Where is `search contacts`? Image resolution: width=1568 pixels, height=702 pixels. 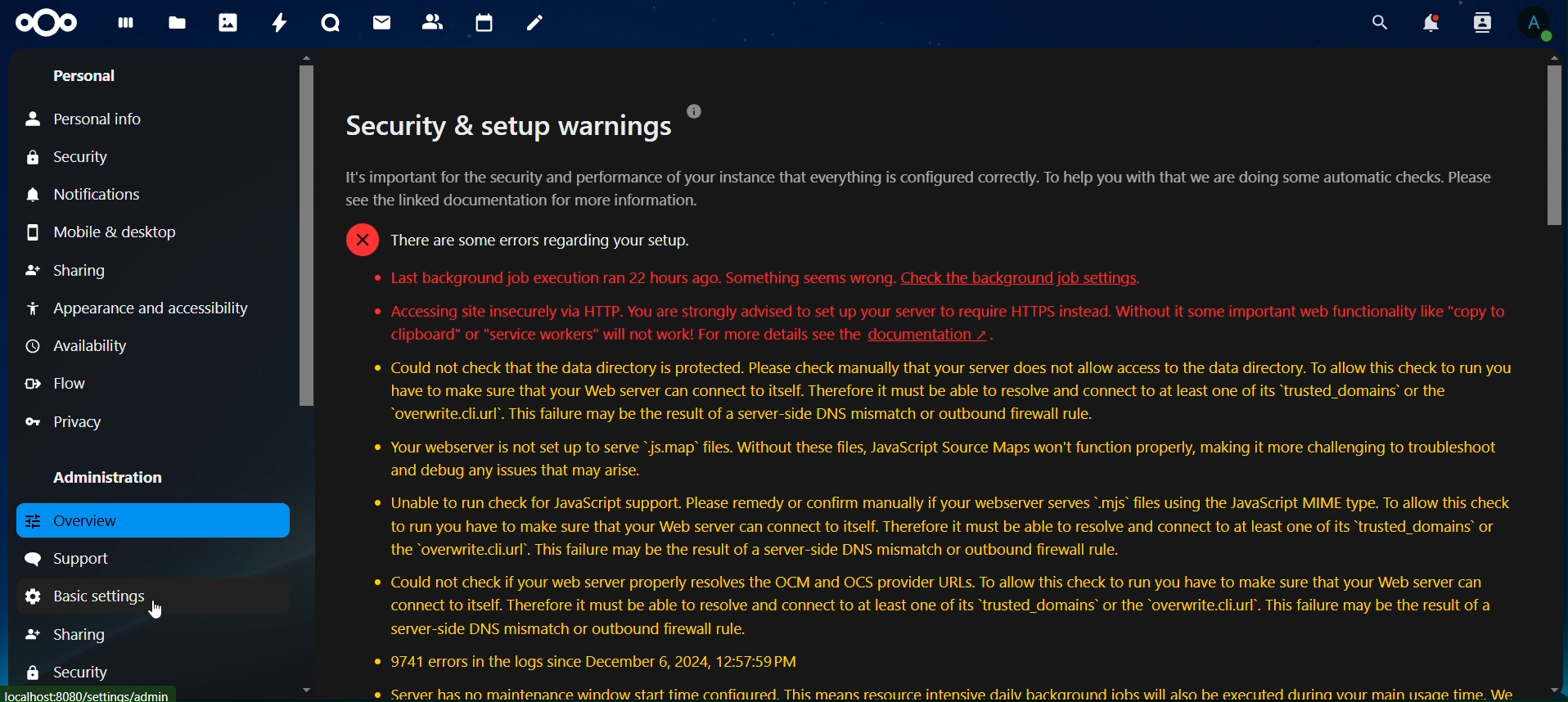
search contacts is located at coordinates (1476, 22).